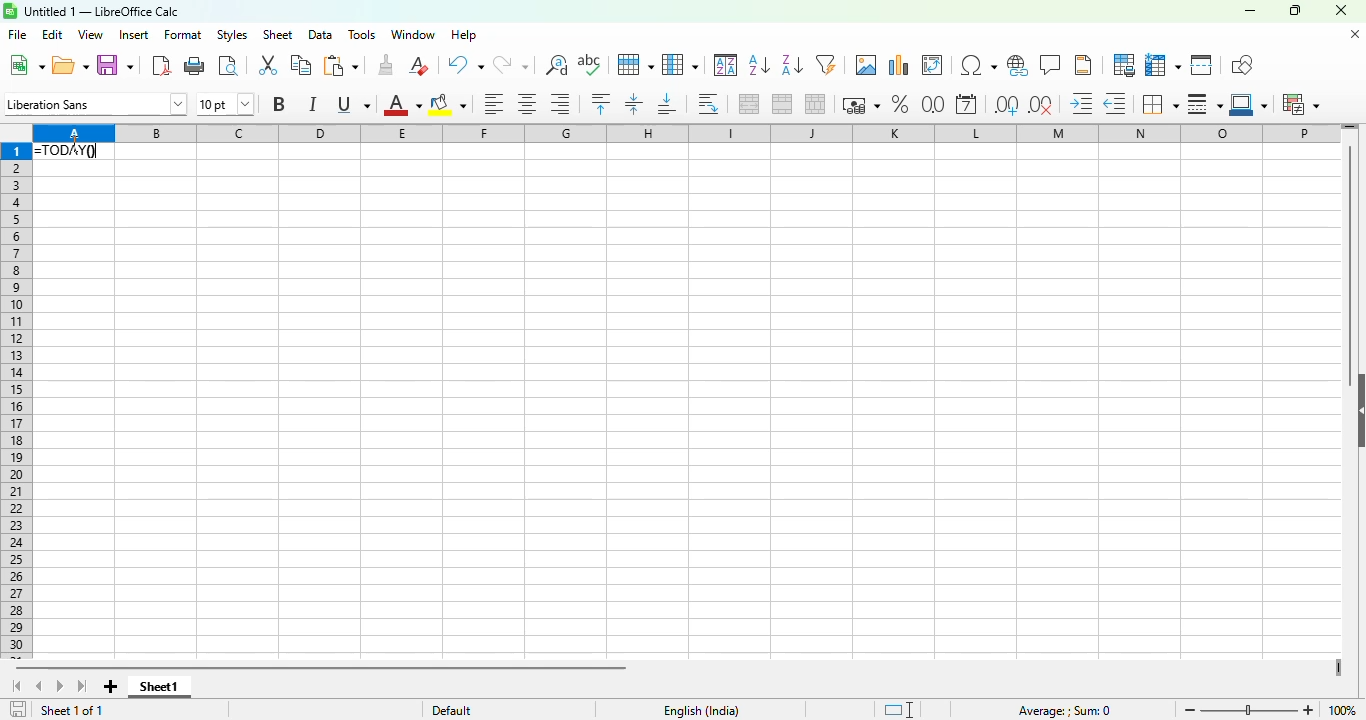 The image size is (1366, 720). Describe the element at coordinates (1251, 712) in the screenshot. I see `zoom slider` at that location.